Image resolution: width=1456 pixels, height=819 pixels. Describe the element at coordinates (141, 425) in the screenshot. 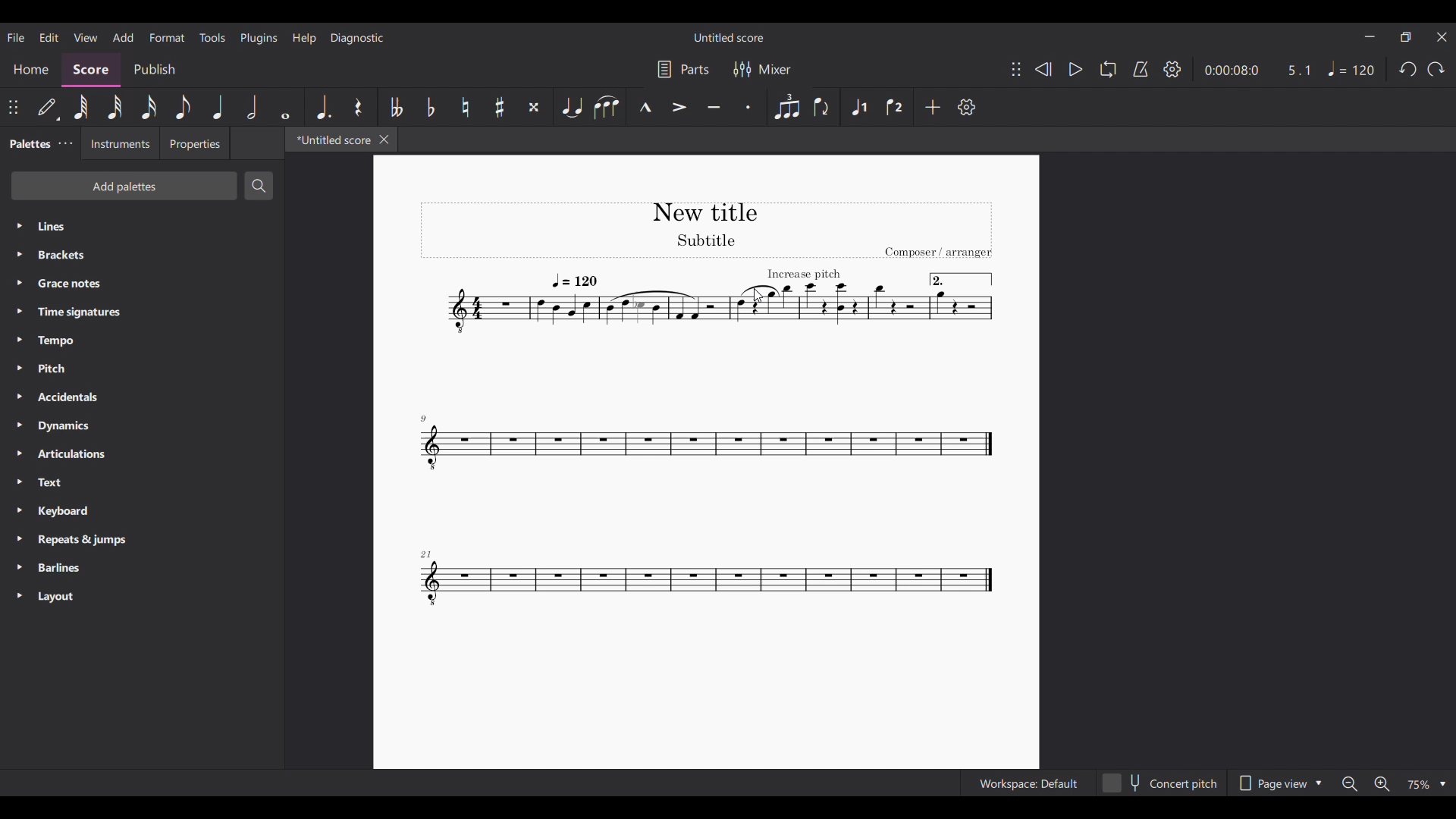

I see `Dynamics` at that location.